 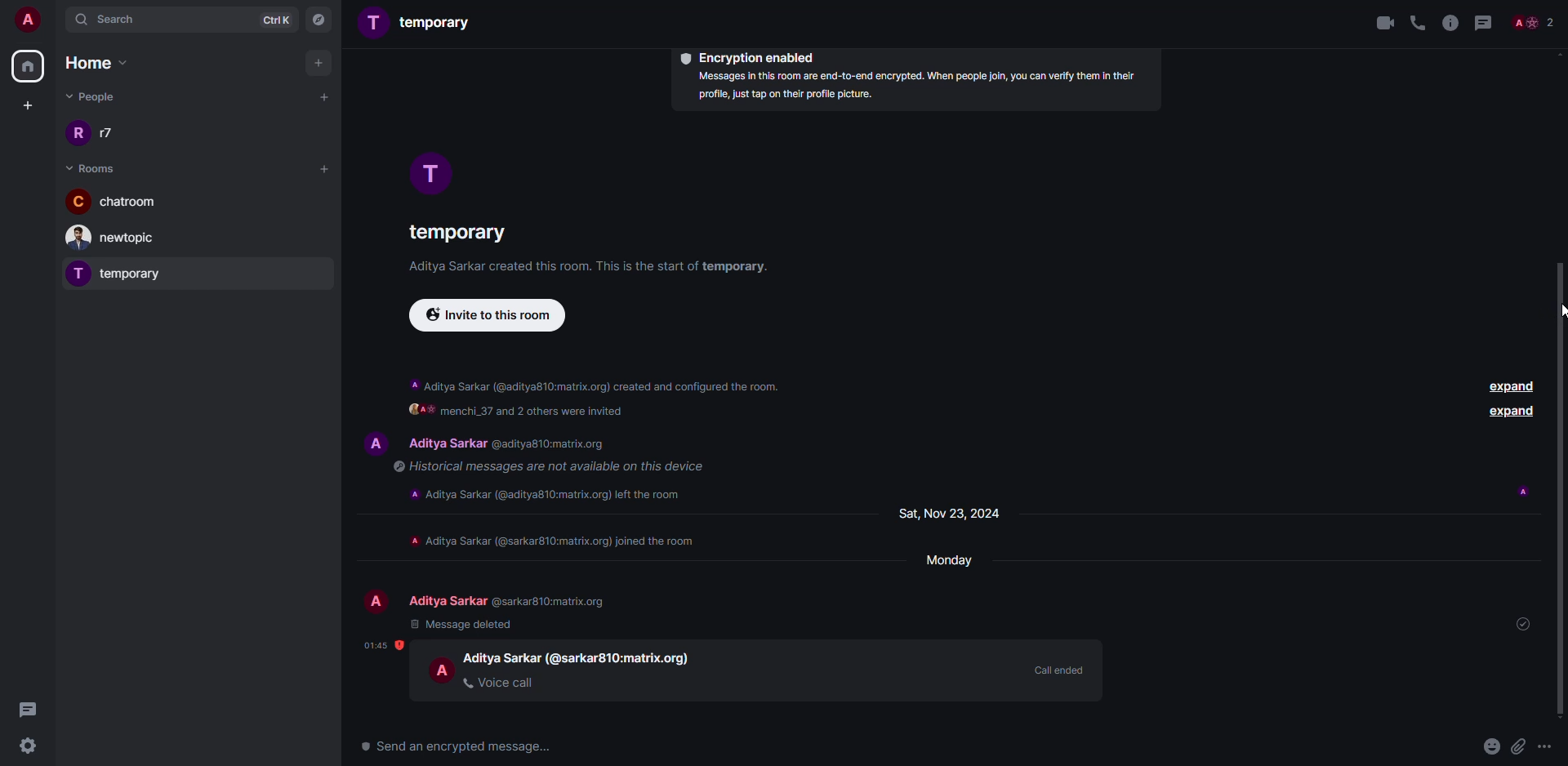 What do you see at coordinates (377, 642) in the screenshot?
I see `time` at bounding box center [377, 642].